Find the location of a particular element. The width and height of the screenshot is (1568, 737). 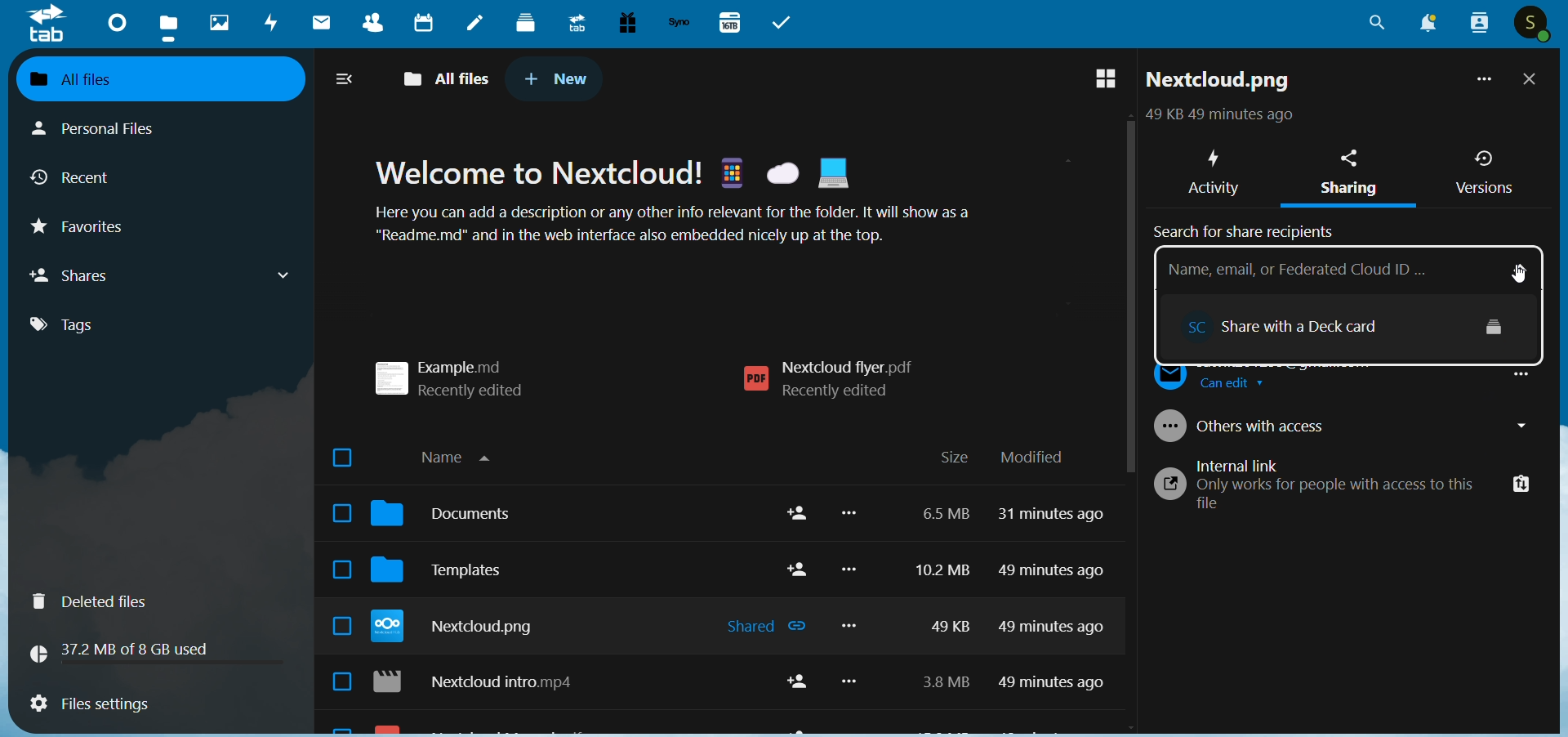

people is located at coordinates (1477, 23).